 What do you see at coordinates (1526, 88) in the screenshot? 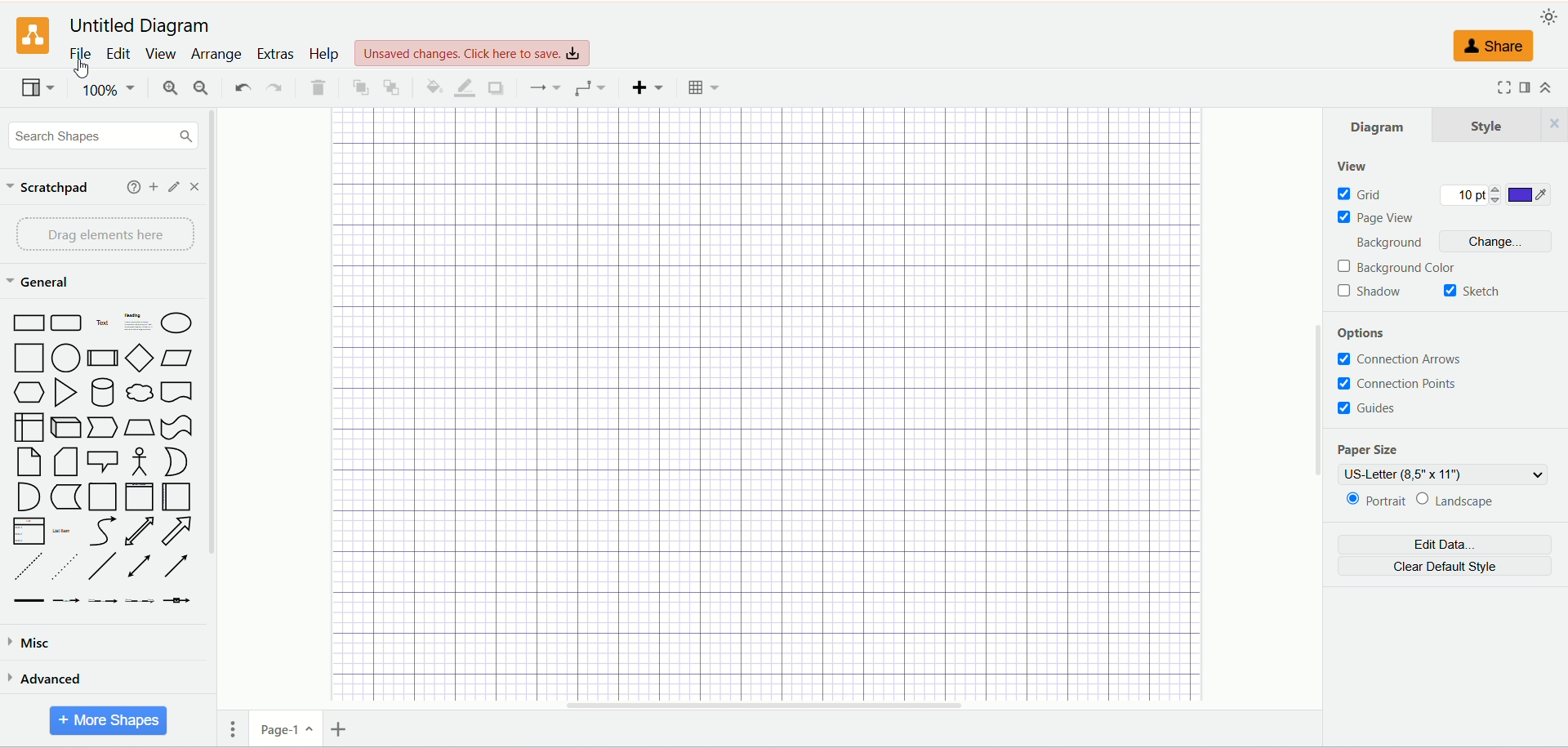
I see `format` at bounding box center [1526, 88].